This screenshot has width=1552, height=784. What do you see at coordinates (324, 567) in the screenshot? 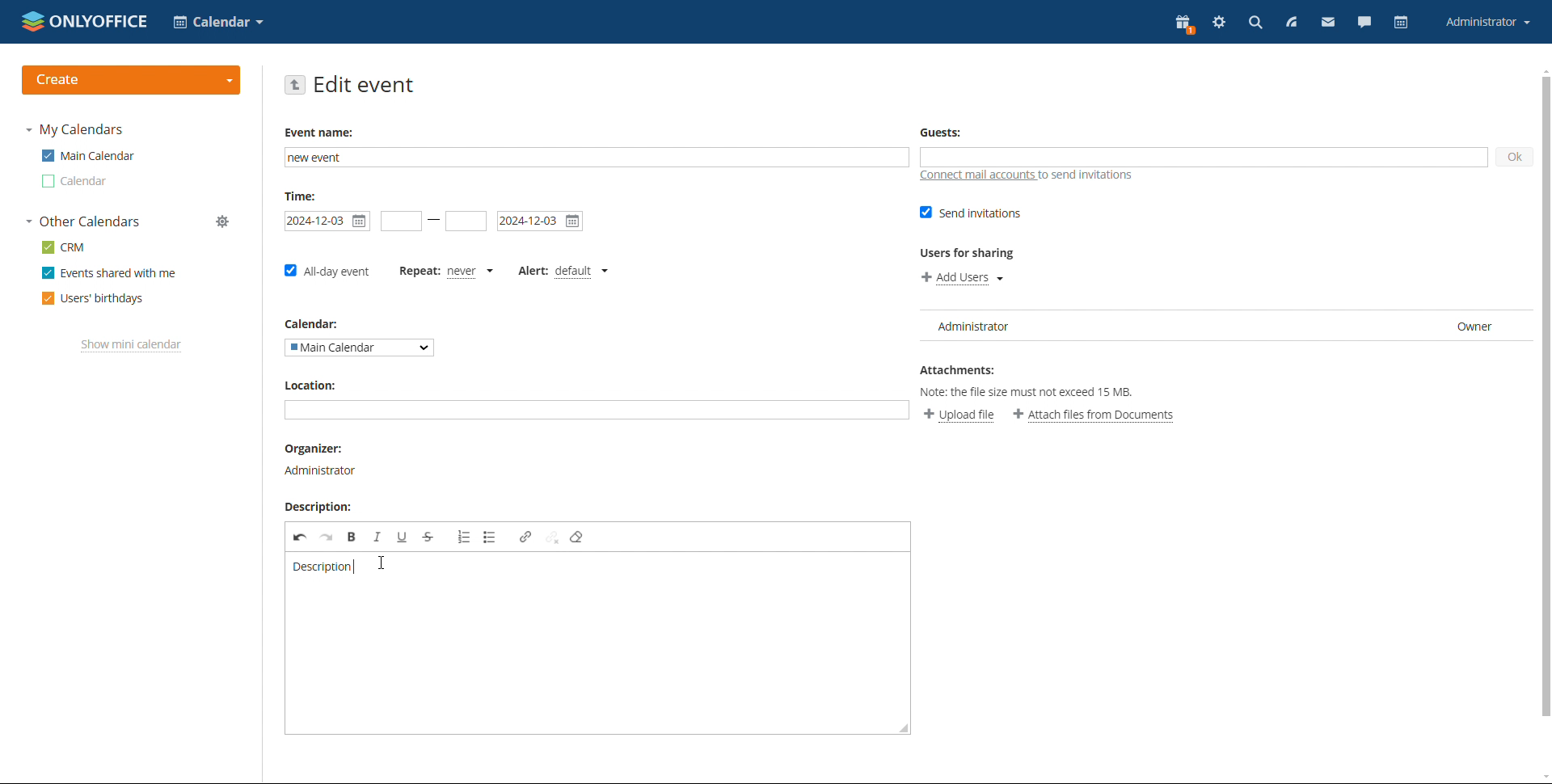
I see `description` at bounding box center [324, 567].